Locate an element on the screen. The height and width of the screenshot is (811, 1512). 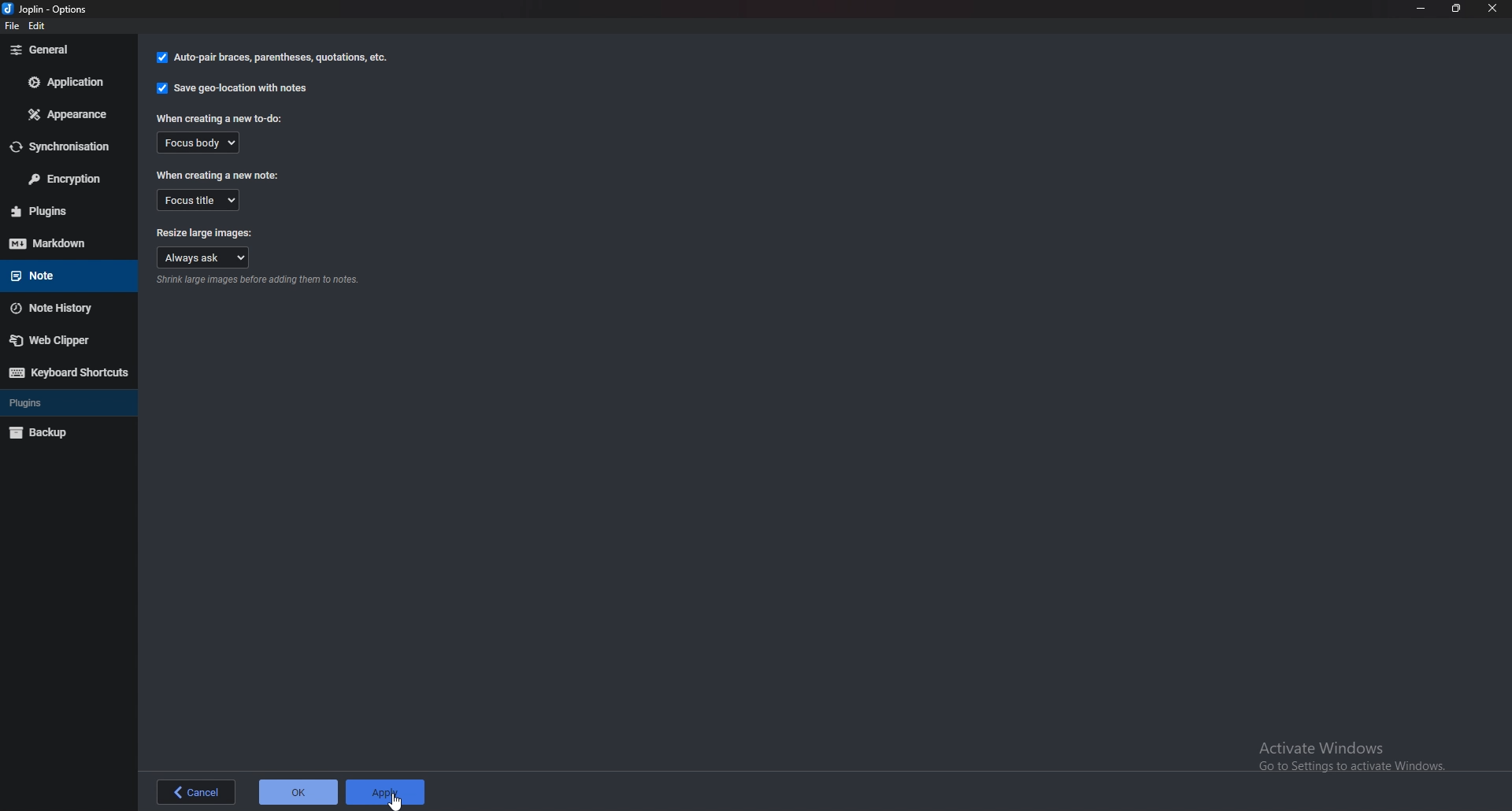
Focus title is located at coordinates (198, 198).